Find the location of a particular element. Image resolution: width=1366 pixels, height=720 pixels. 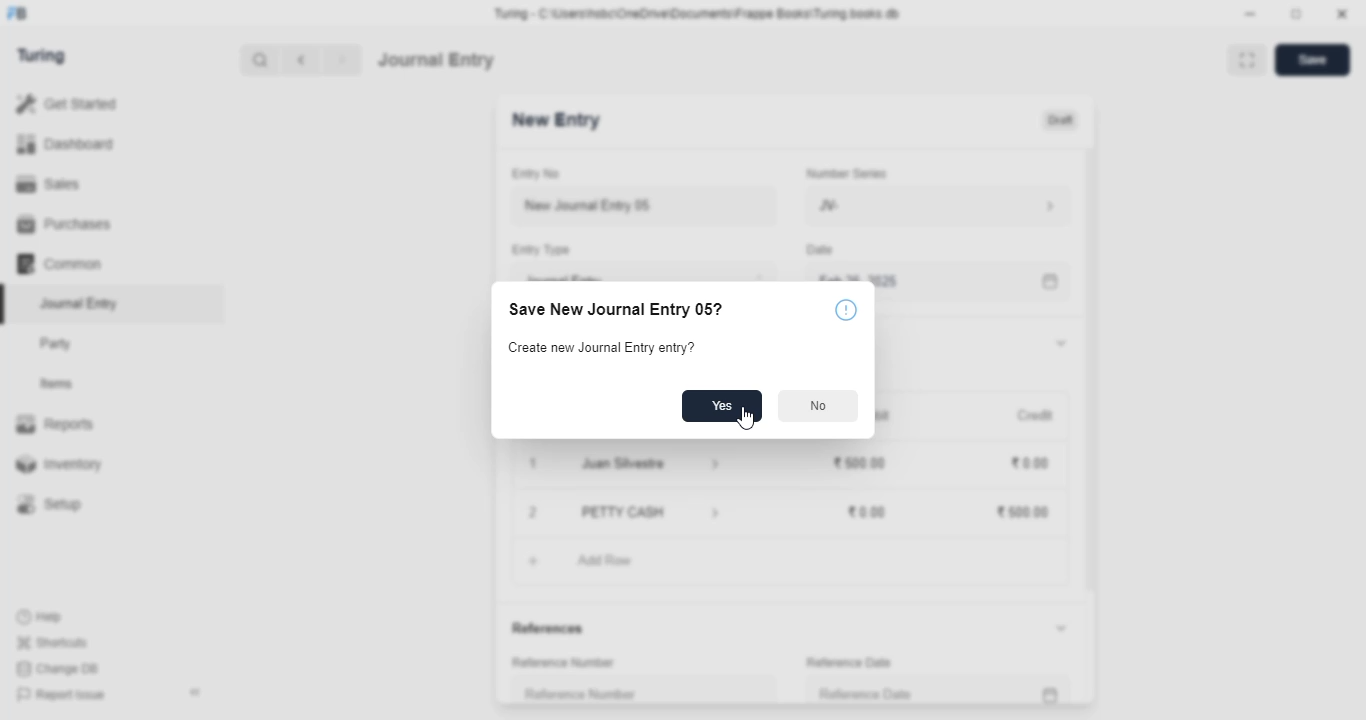

inventory is located at coordinates (58, 464).